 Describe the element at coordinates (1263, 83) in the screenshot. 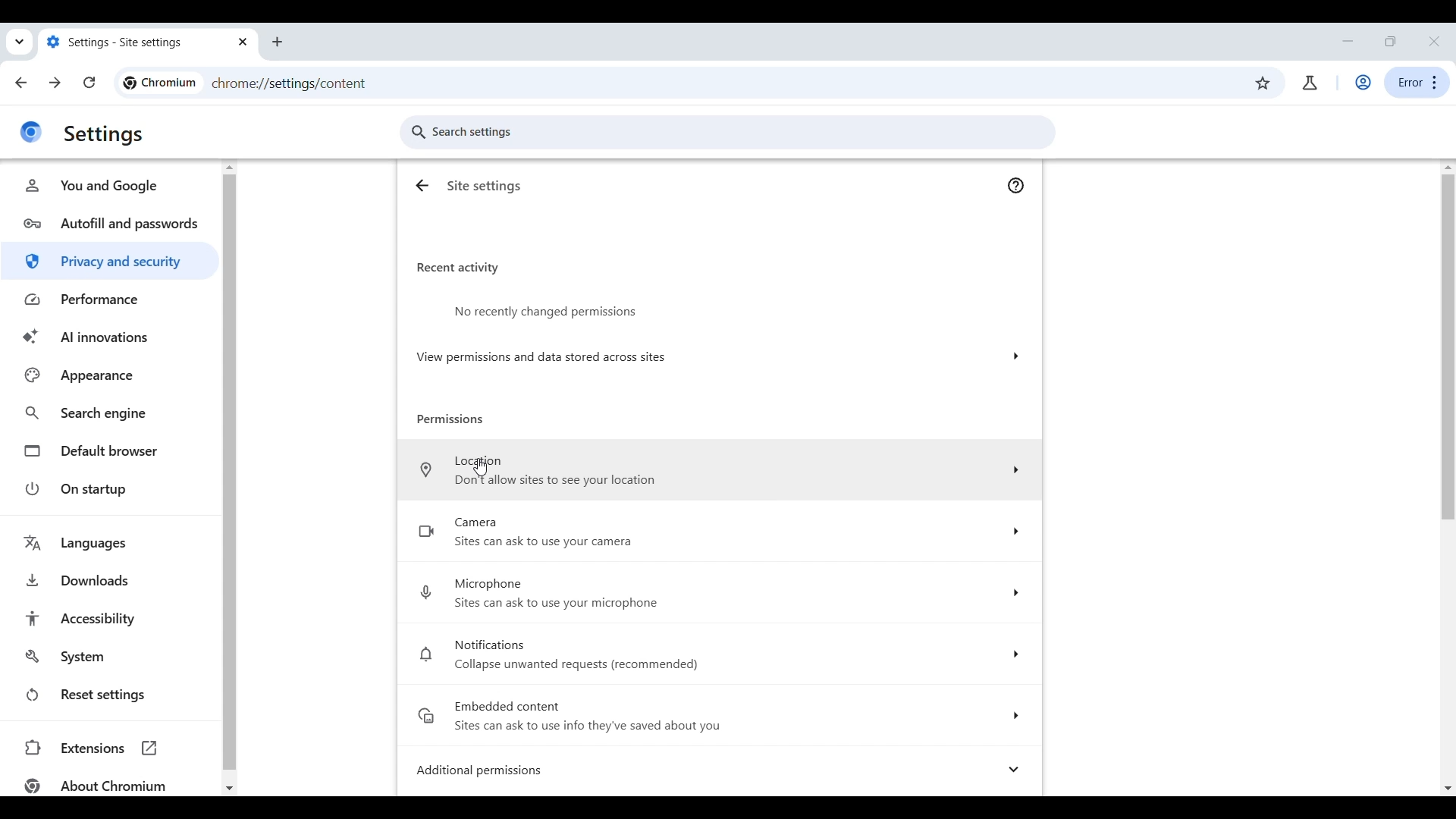

I see `Bookmark` at that location.